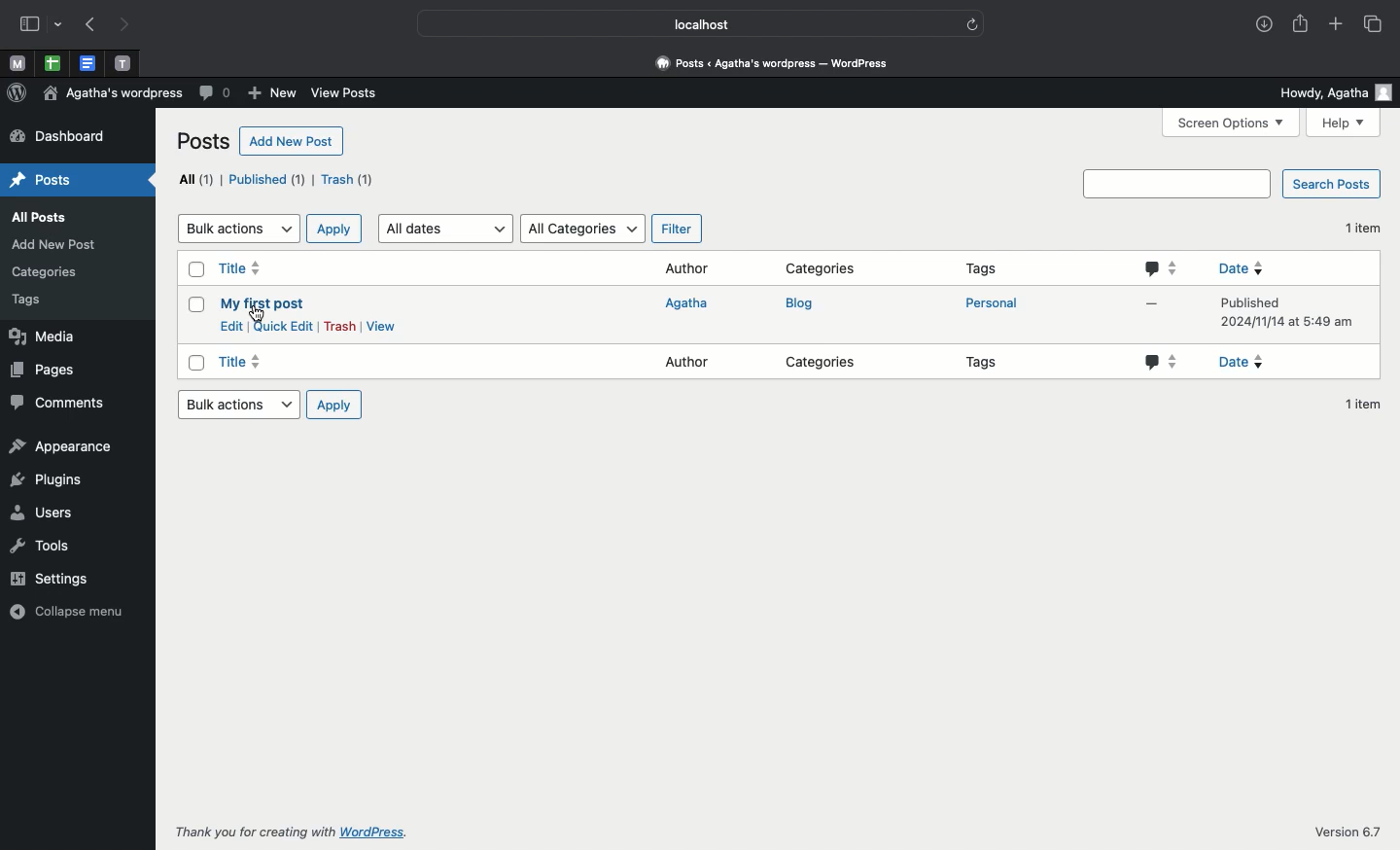 The width and height of the screenshot is (1400, 850). What do you see at coordinates (232, 327) in the screenshot?
I see `Edit` at bounding box center [232, 327].